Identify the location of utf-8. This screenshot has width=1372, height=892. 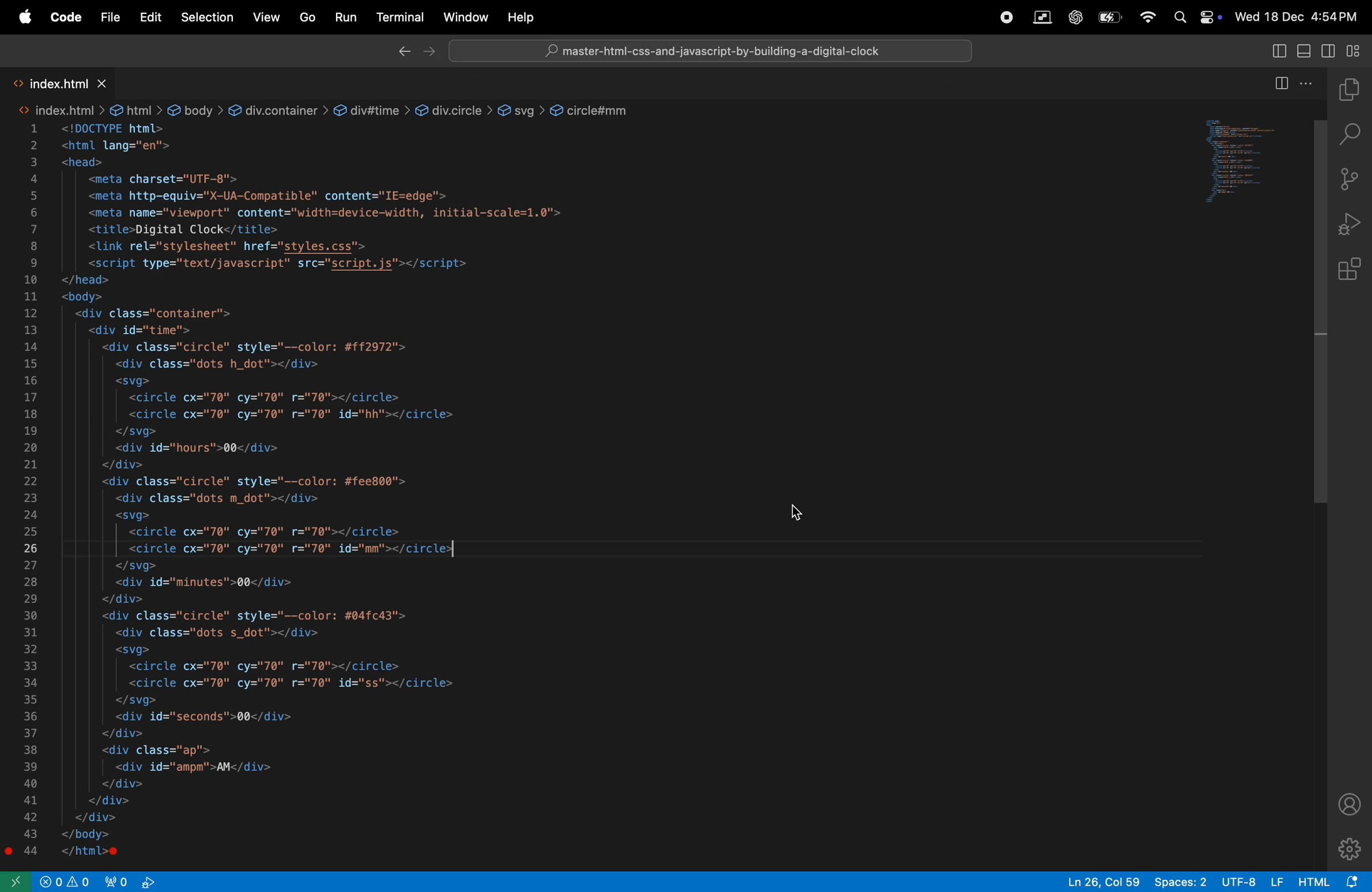
(1252, 881).